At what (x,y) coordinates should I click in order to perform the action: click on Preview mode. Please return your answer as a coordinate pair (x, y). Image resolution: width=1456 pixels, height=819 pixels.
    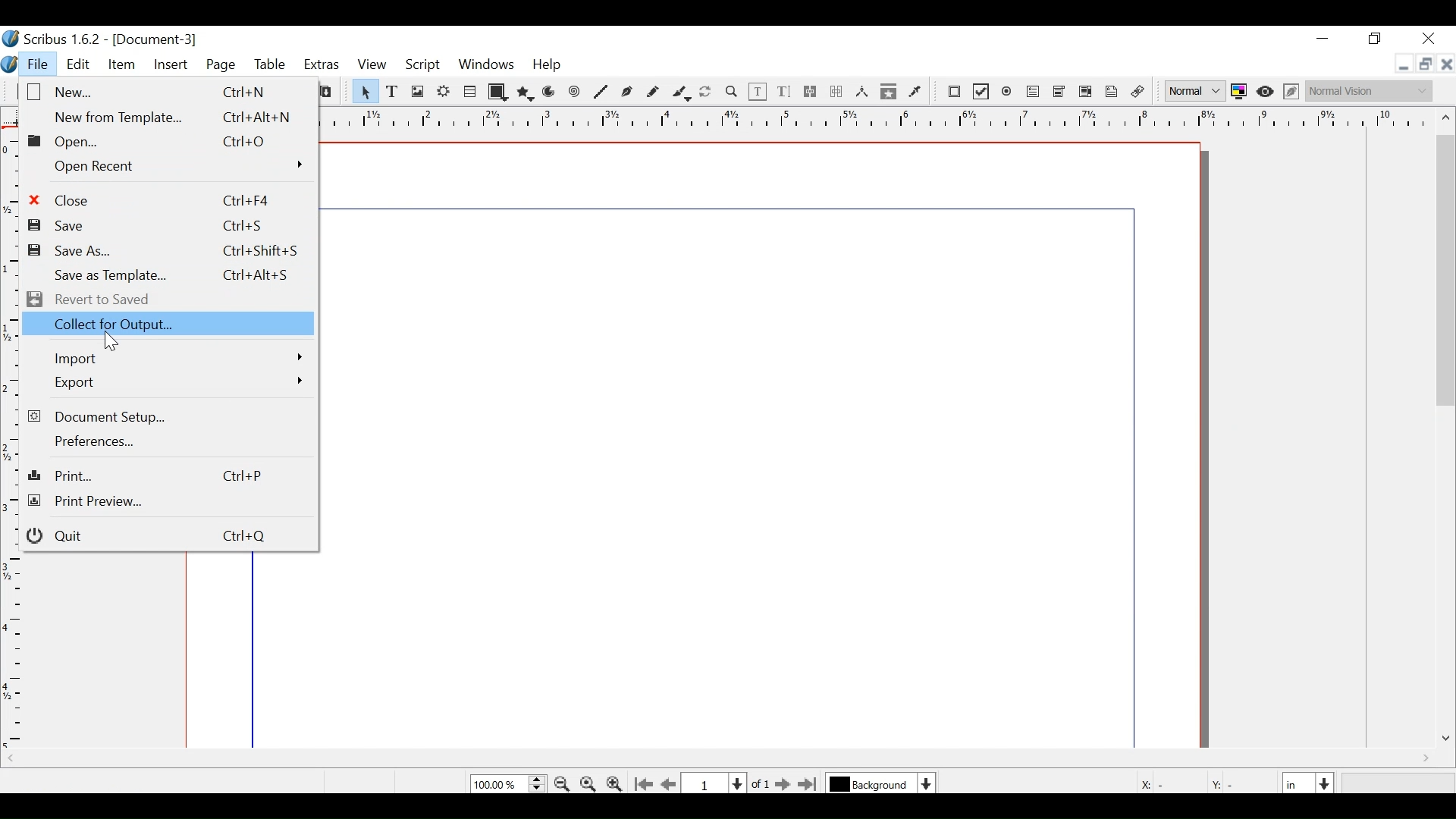
    Looking at the image, I should click on (1266, 93).